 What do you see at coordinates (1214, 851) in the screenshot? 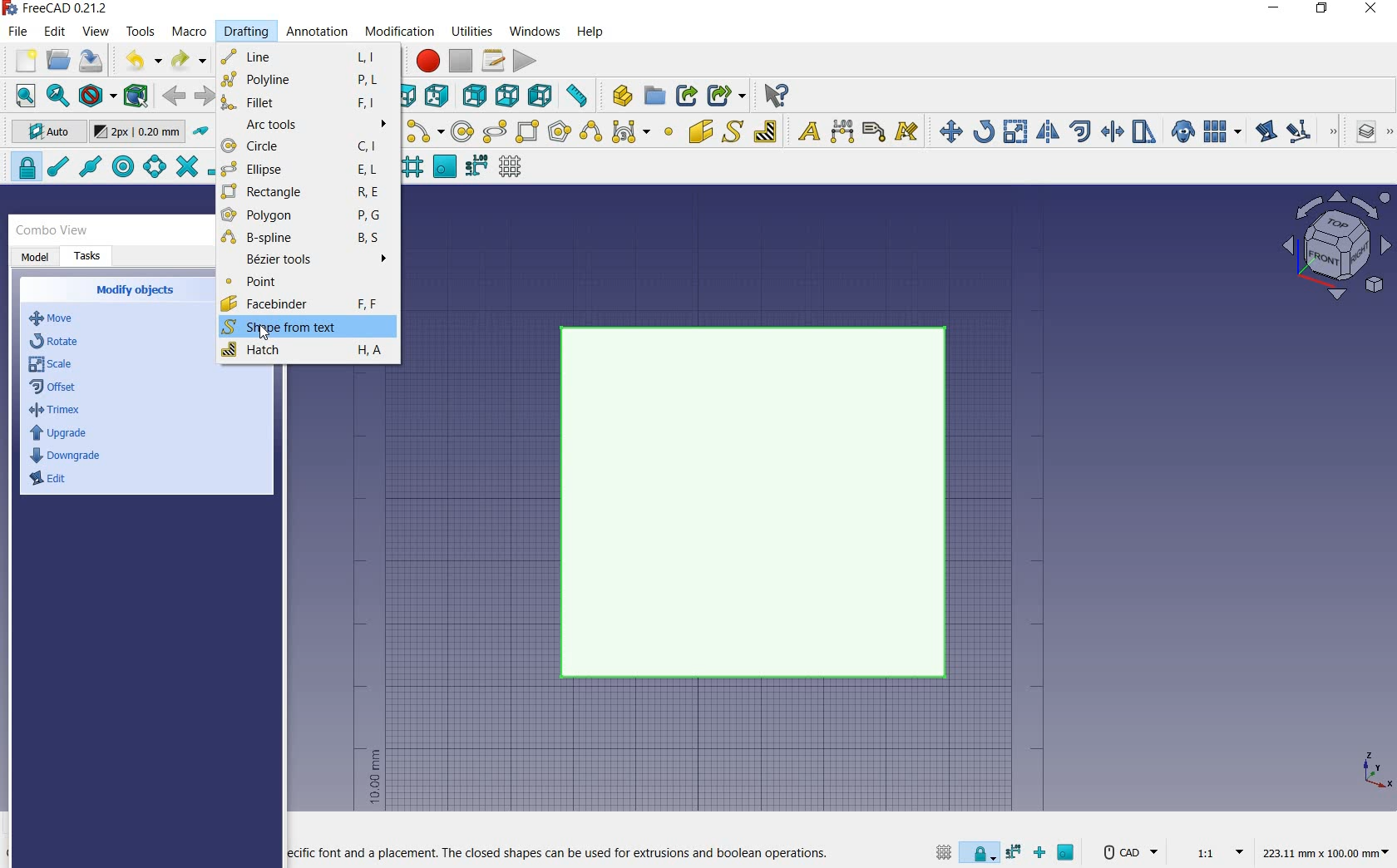
I see `set scale` at bounding box center [1214, 851].